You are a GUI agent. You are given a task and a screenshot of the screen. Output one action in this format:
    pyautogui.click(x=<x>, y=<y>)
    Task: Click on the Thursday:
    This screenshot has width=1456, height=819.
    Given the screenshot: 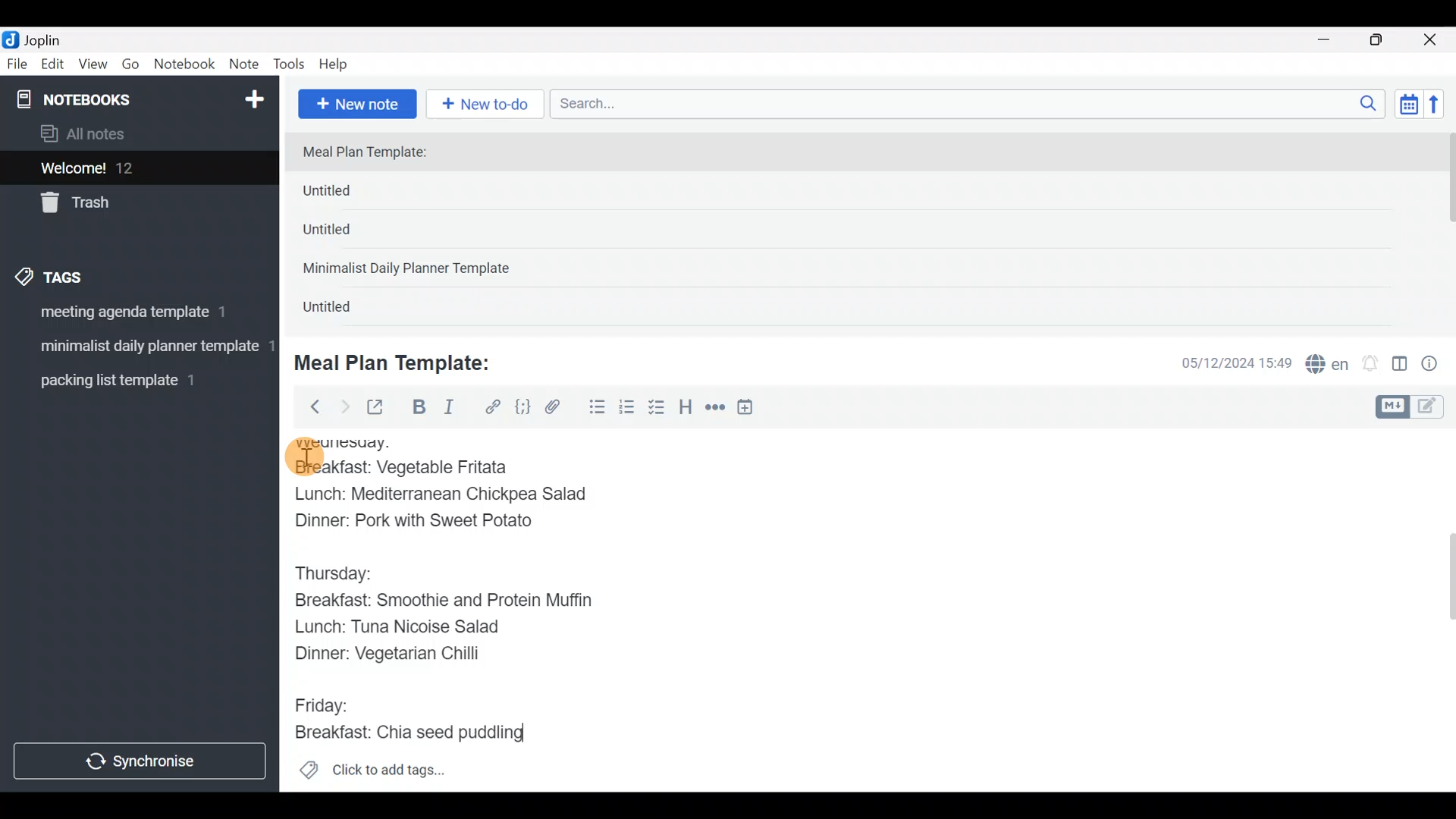 What is the action you would take?
    pyautogui.click(x=337, y=571)
    